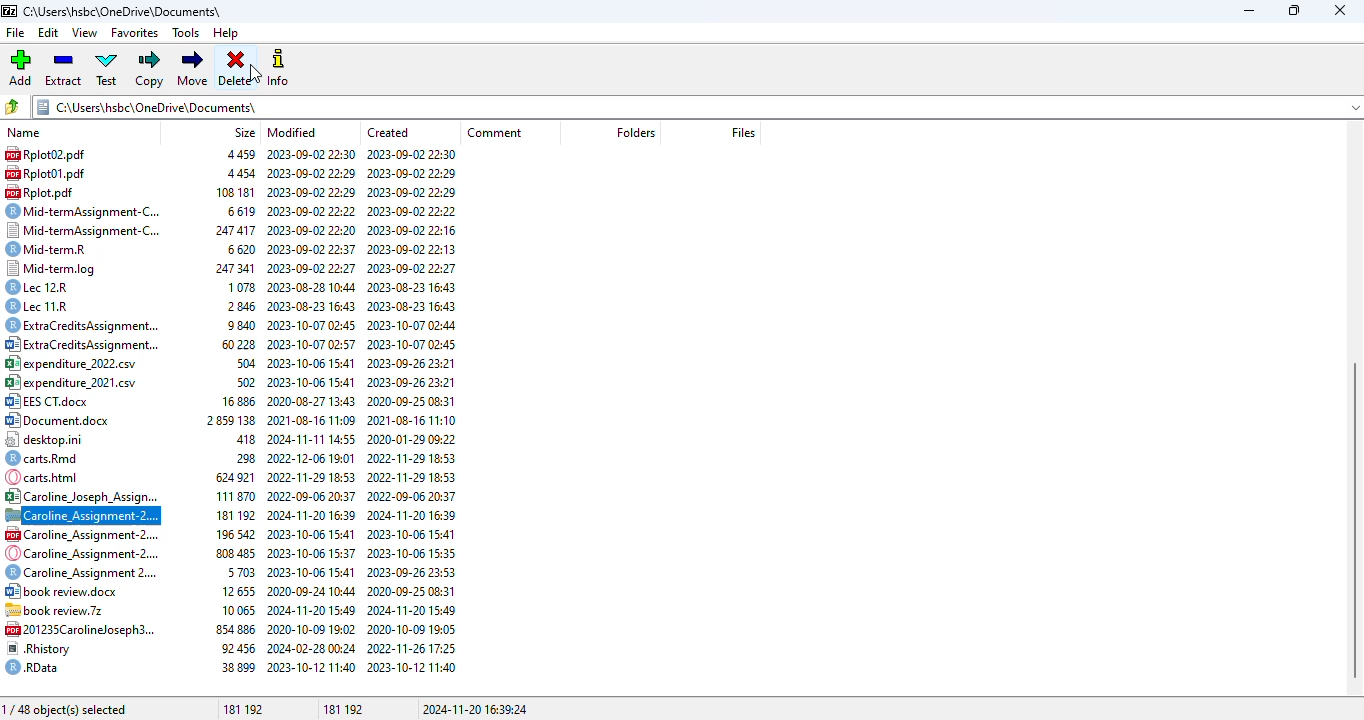  I want to click on 181 192, so click(340, 708).